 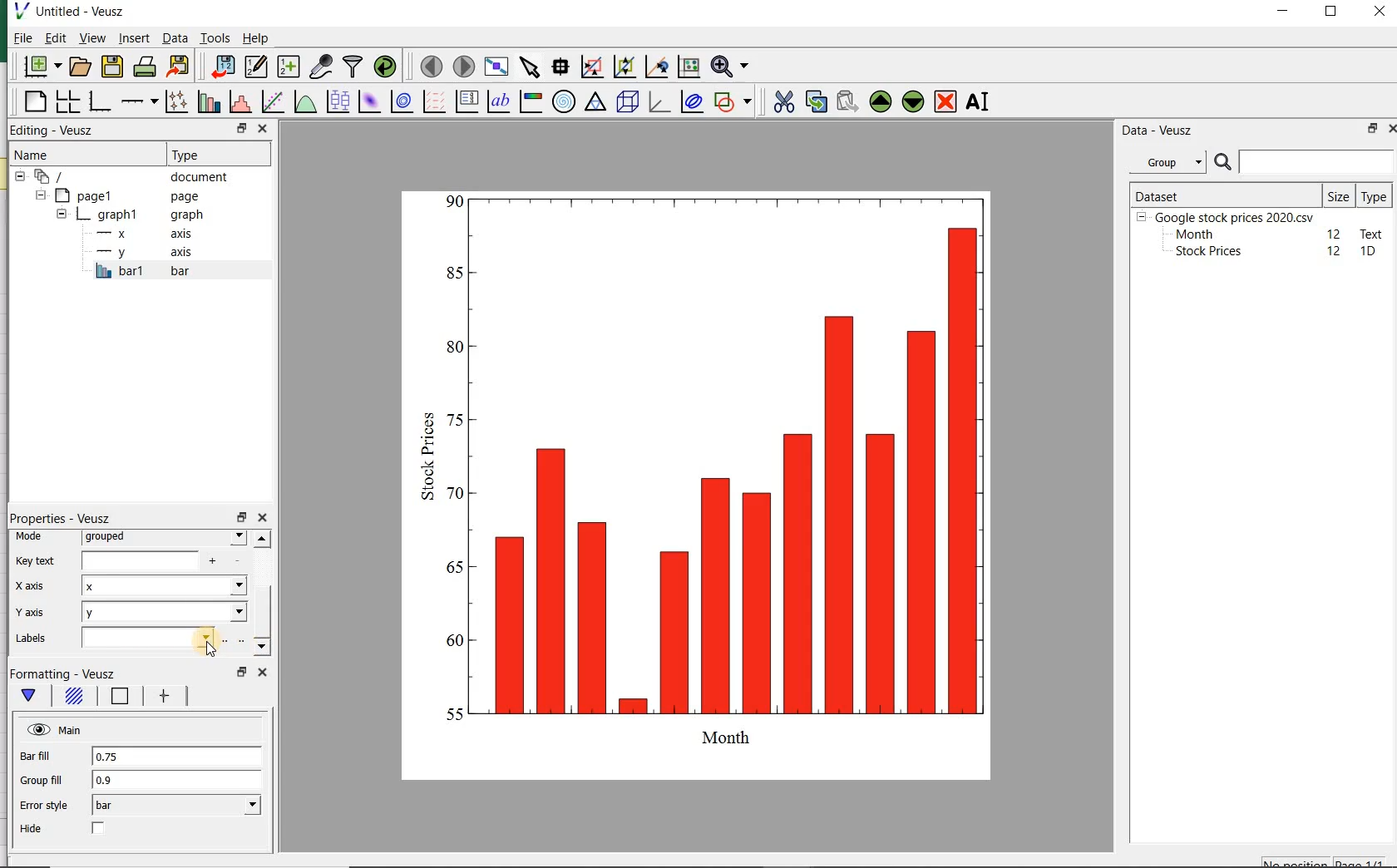 I want to click on Bar fill, so click(x=36, y=757).